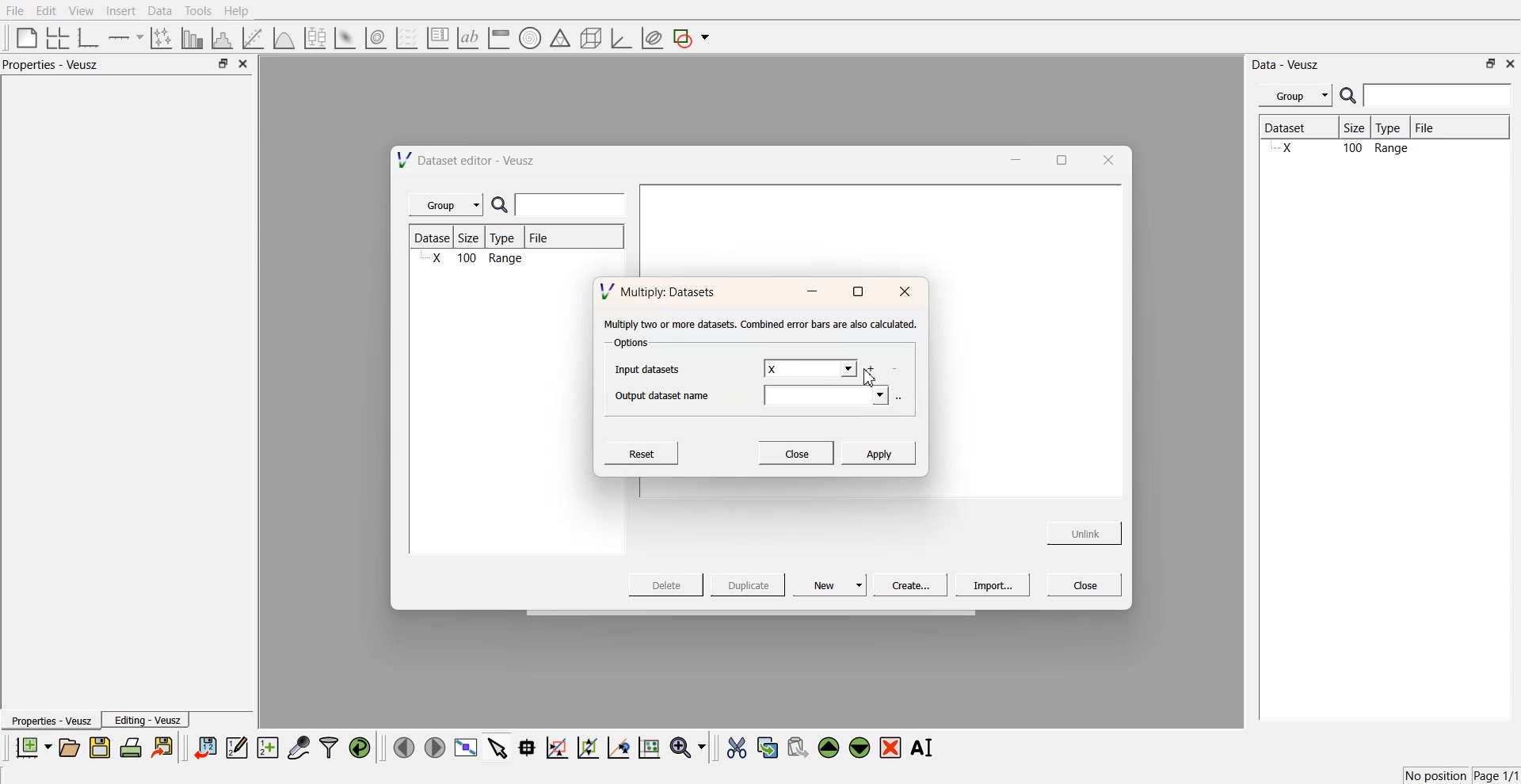 The height and width of the screenshot is (784, 1521). What do you see at coordinates (860, 746) in the screenshot?
I see `move  the selected widgets down` at bounding box center [860, 746].